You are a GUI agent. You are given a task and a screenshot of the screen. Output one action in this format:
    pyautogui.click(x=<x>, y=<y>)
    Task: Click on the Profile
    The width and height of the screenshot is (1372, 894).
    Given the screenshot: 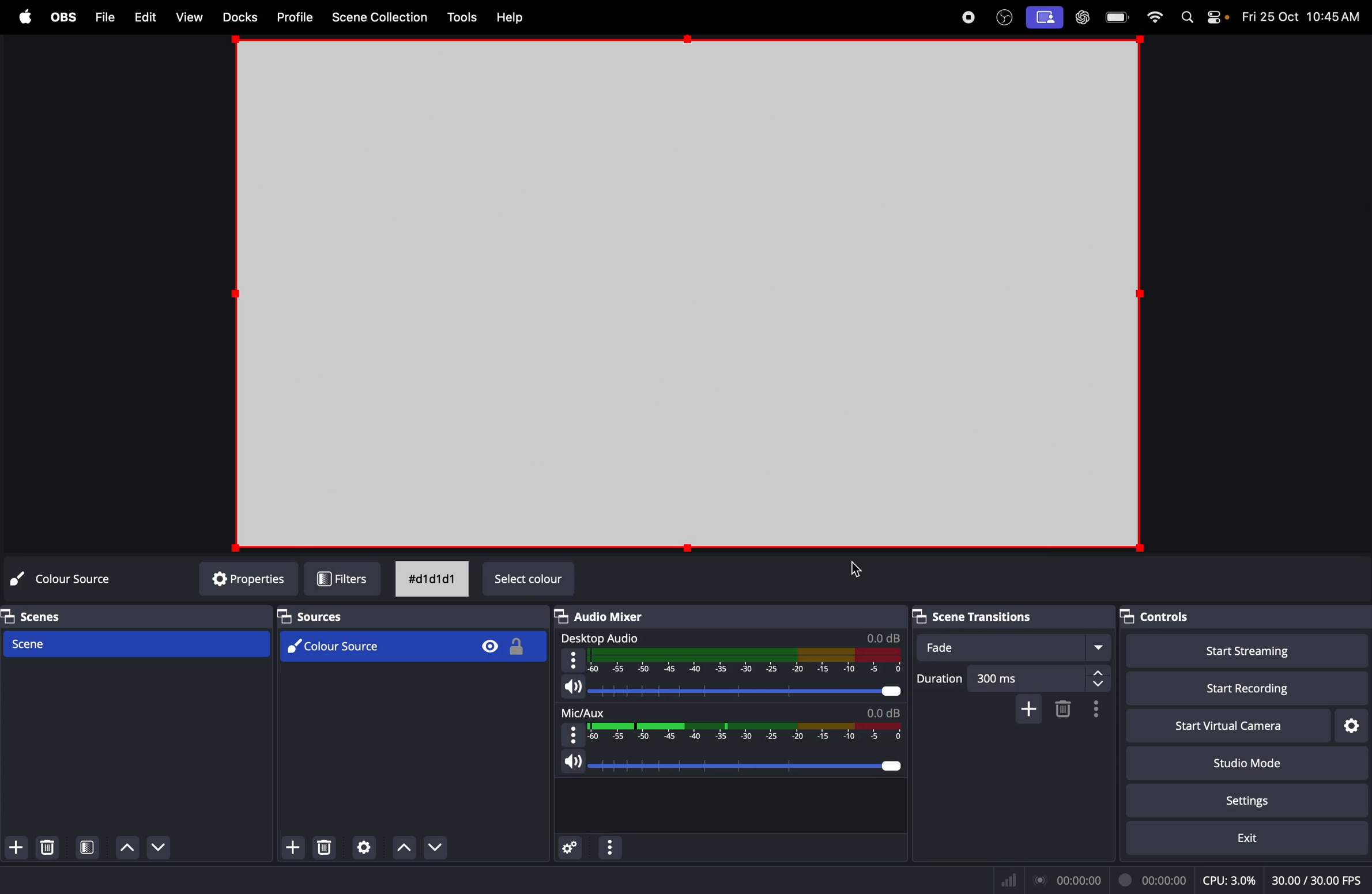 What is the action you would take?
    pyautogui.click(x=295, y=18)
    